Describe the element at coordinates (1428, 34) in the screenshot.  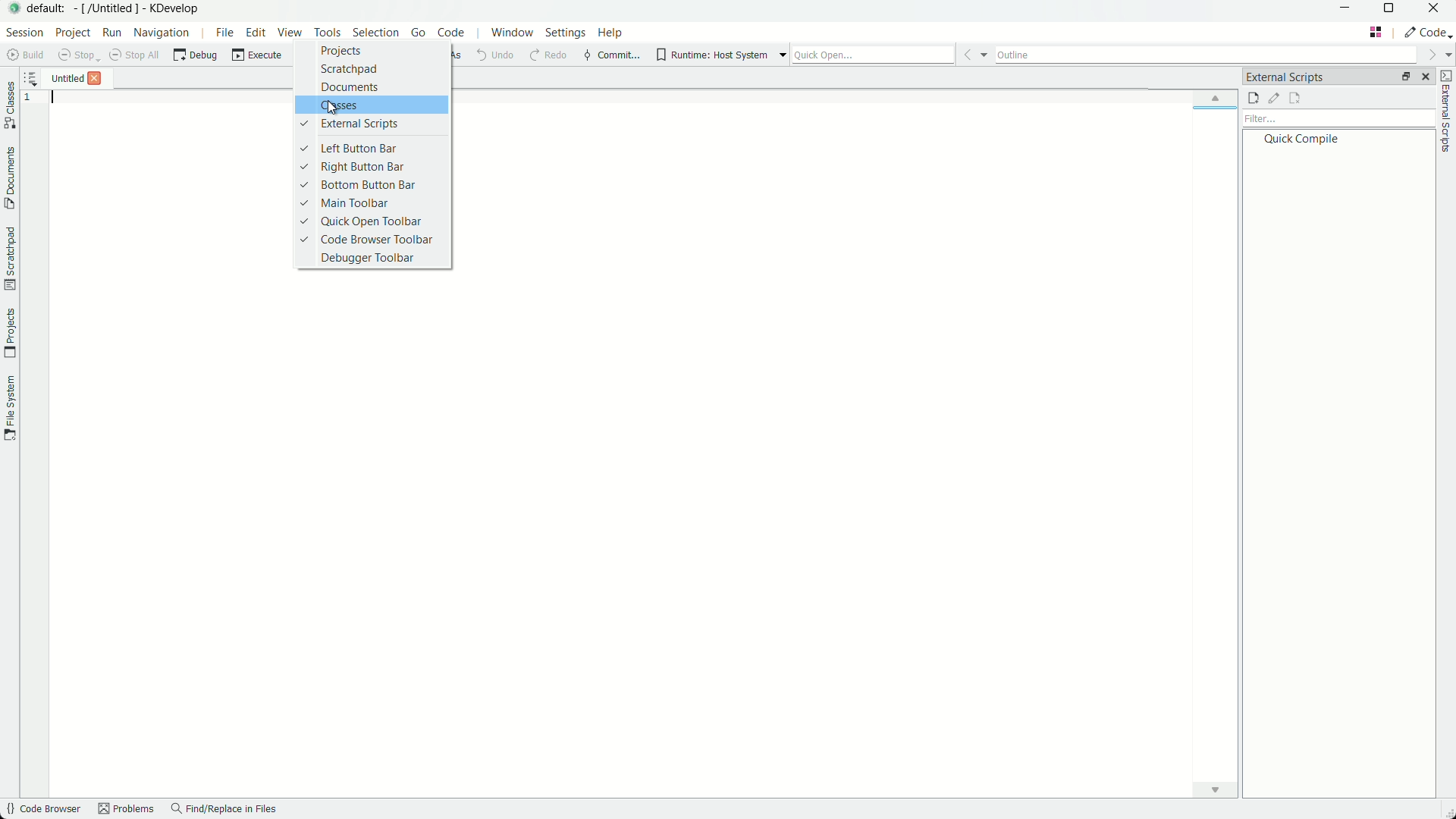
I see `execute actions to change the area` at that location.